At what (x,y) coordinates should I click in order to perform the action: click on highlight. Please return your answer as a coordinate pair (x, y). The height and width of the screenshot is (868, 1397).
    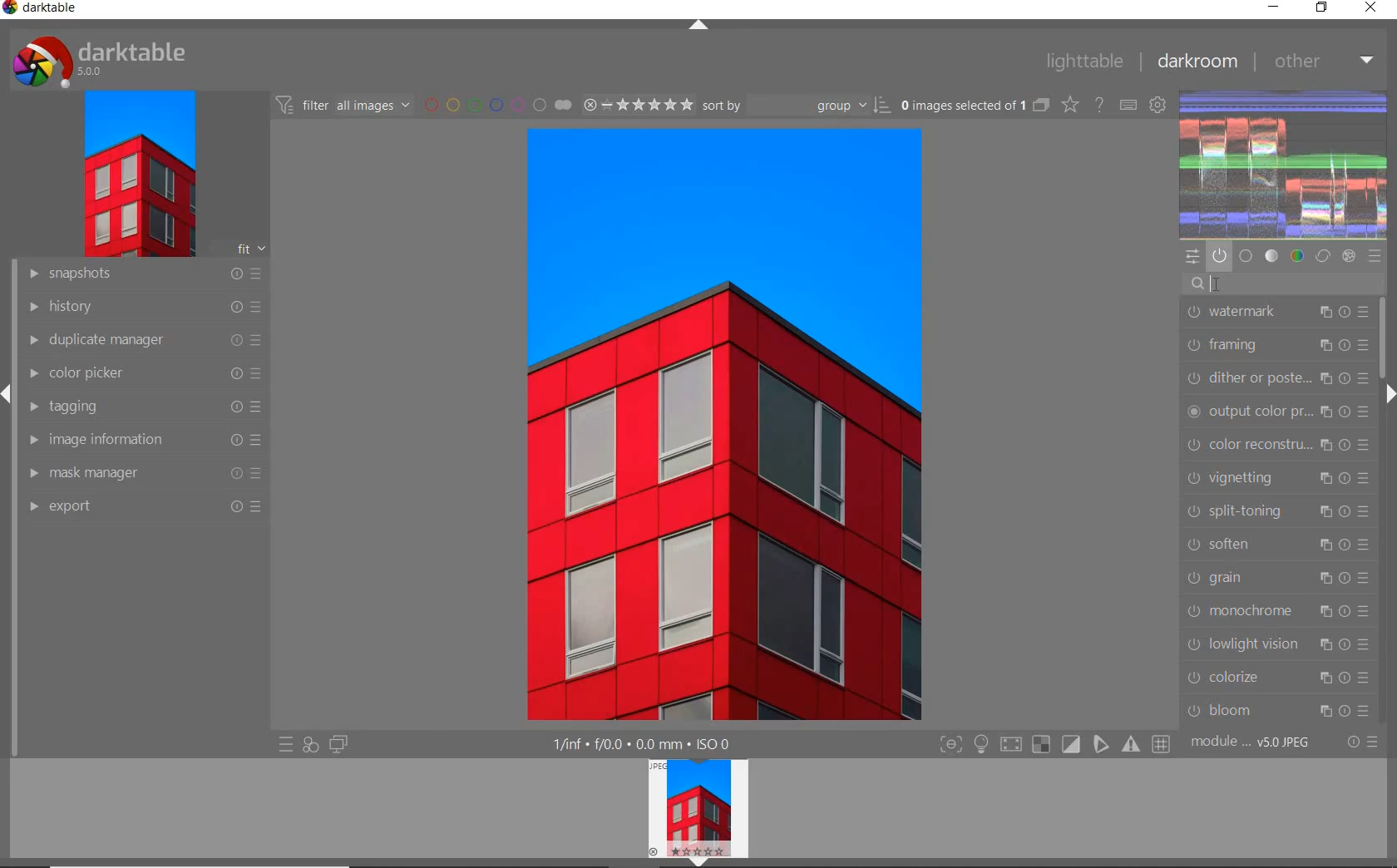
    Looking at the image, I should click on (983, 747).